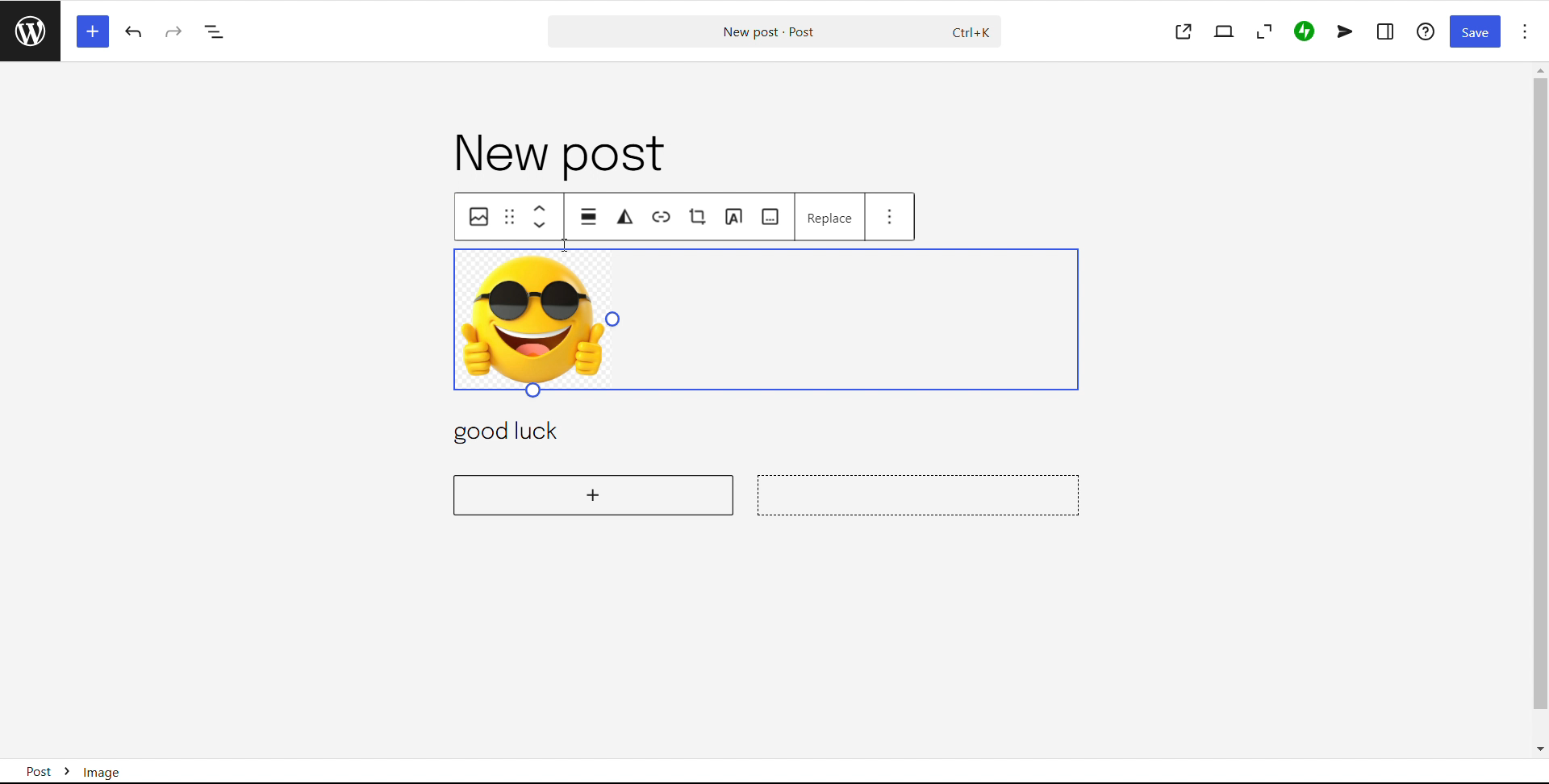 The image size is (1549, 784). What do you see at coordinates (1525, 31) in the screenshot?
I see `options` at bounding box center [1525, 31].